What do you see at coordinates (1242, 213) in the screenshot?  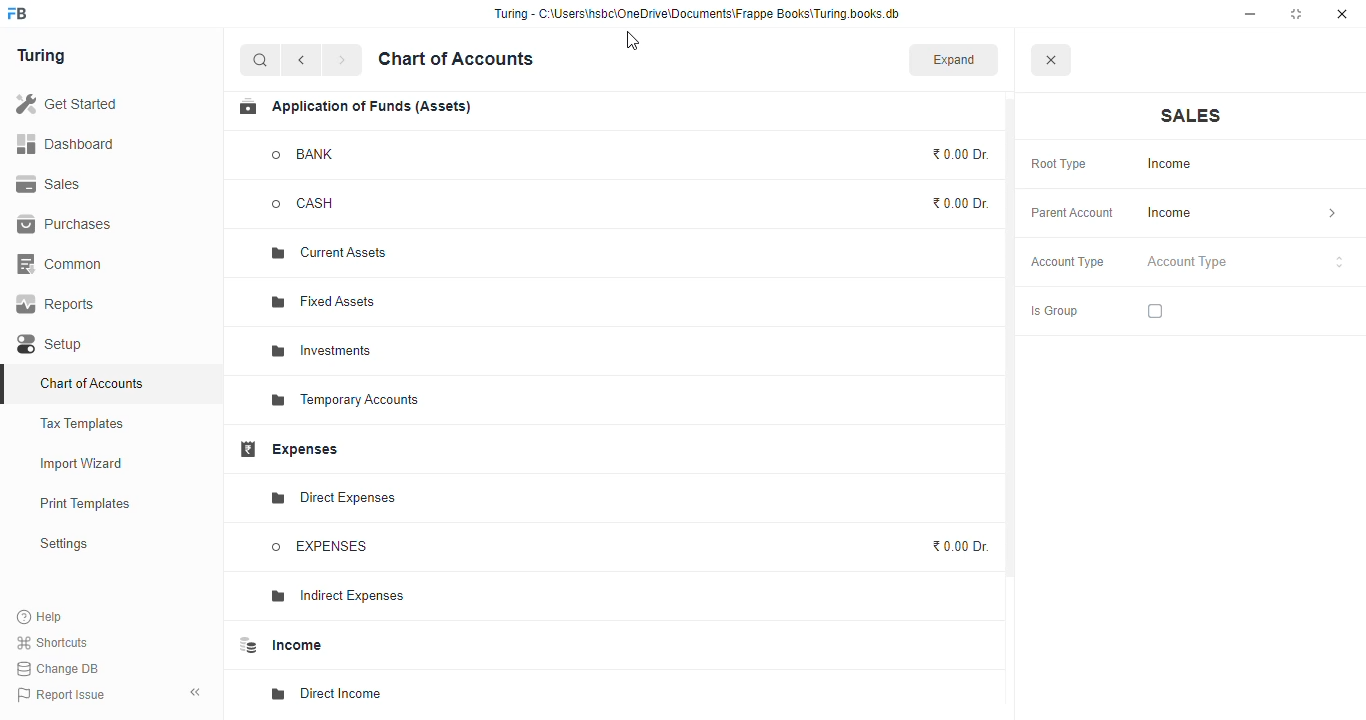 I see `income` at bounding box center [1242, 213].